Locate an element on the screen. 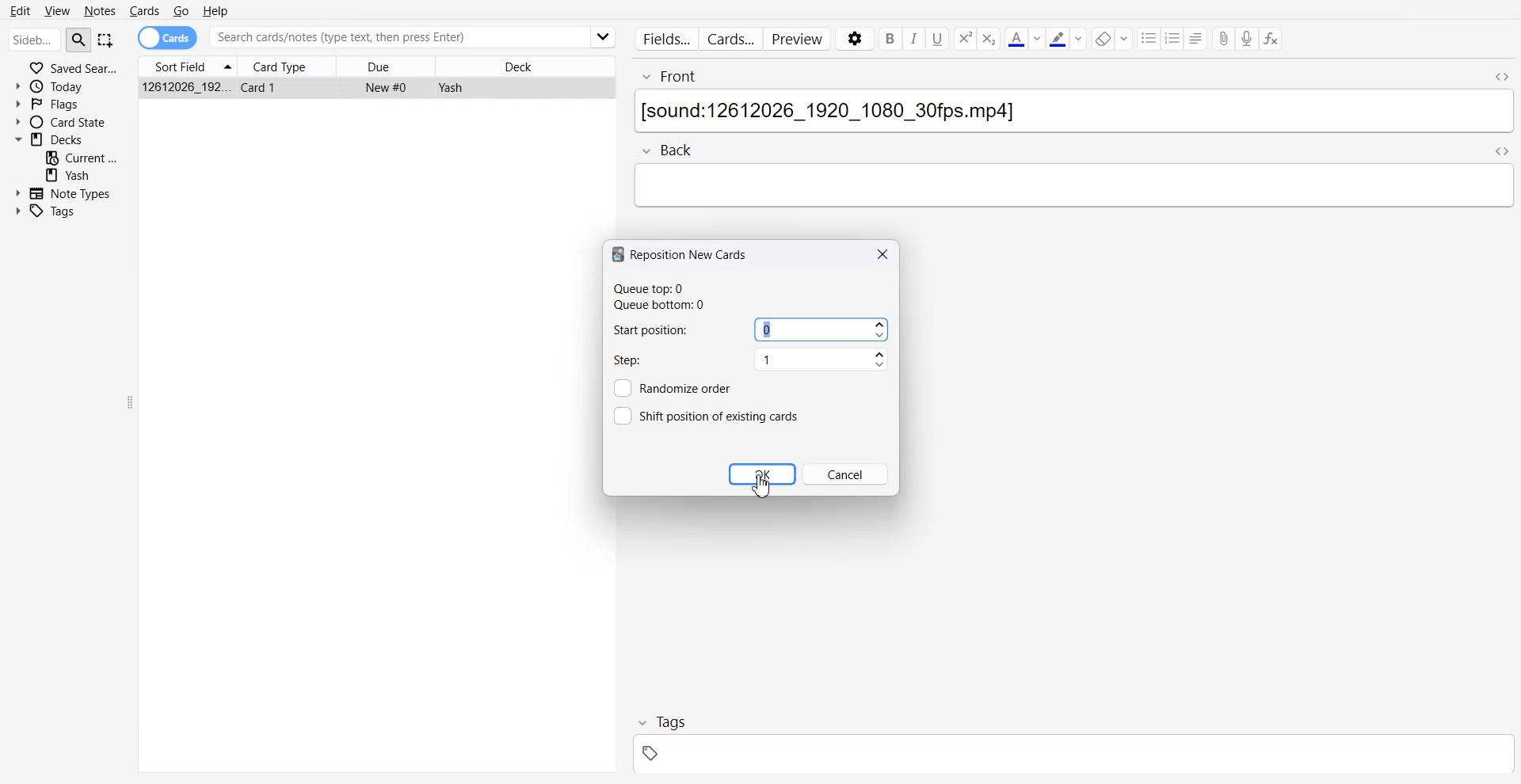  Search bar is located at coordinates (34, 41).